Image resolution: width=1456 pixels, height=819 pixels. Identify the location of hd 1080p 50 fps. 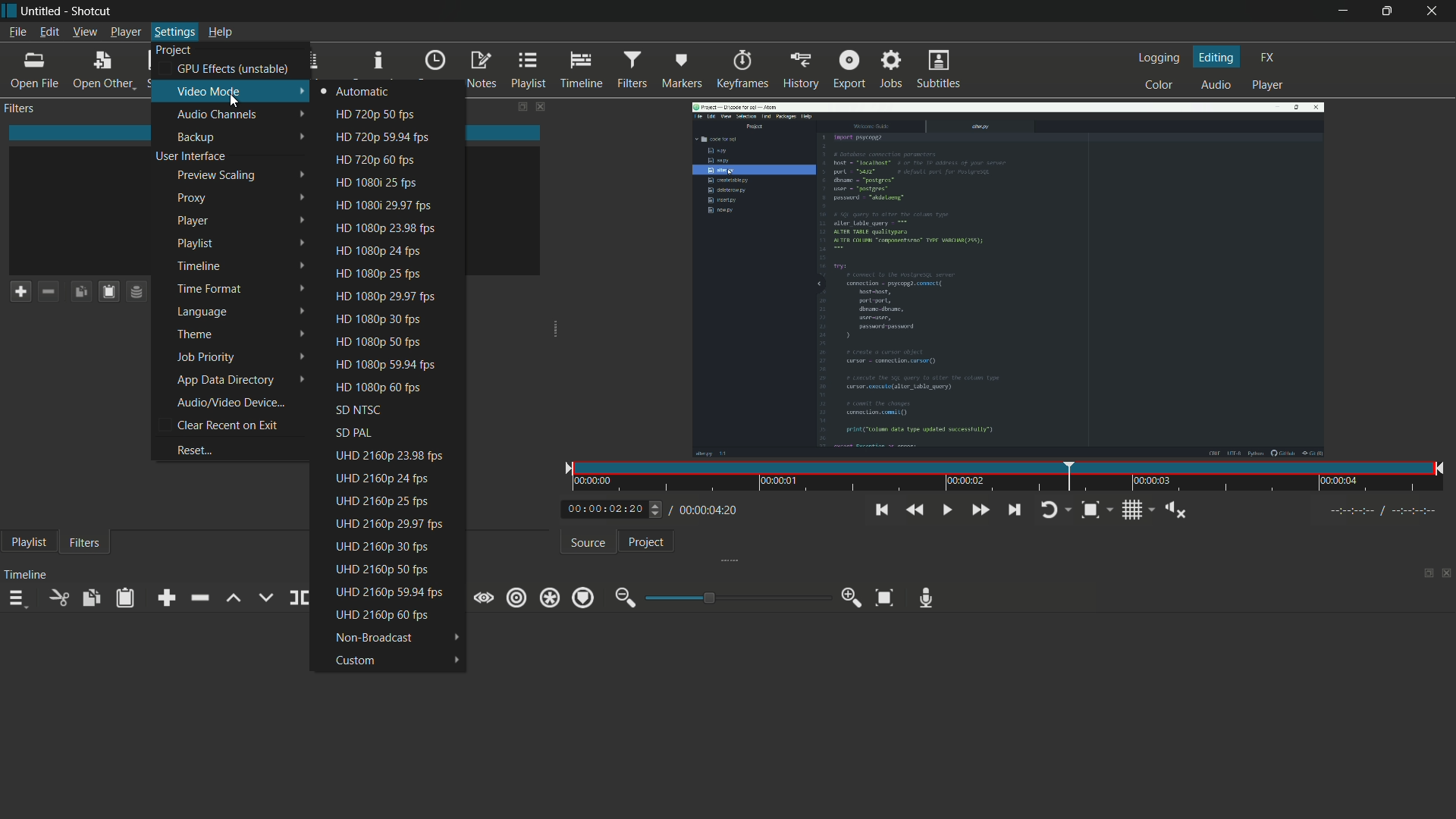
(389, 342).